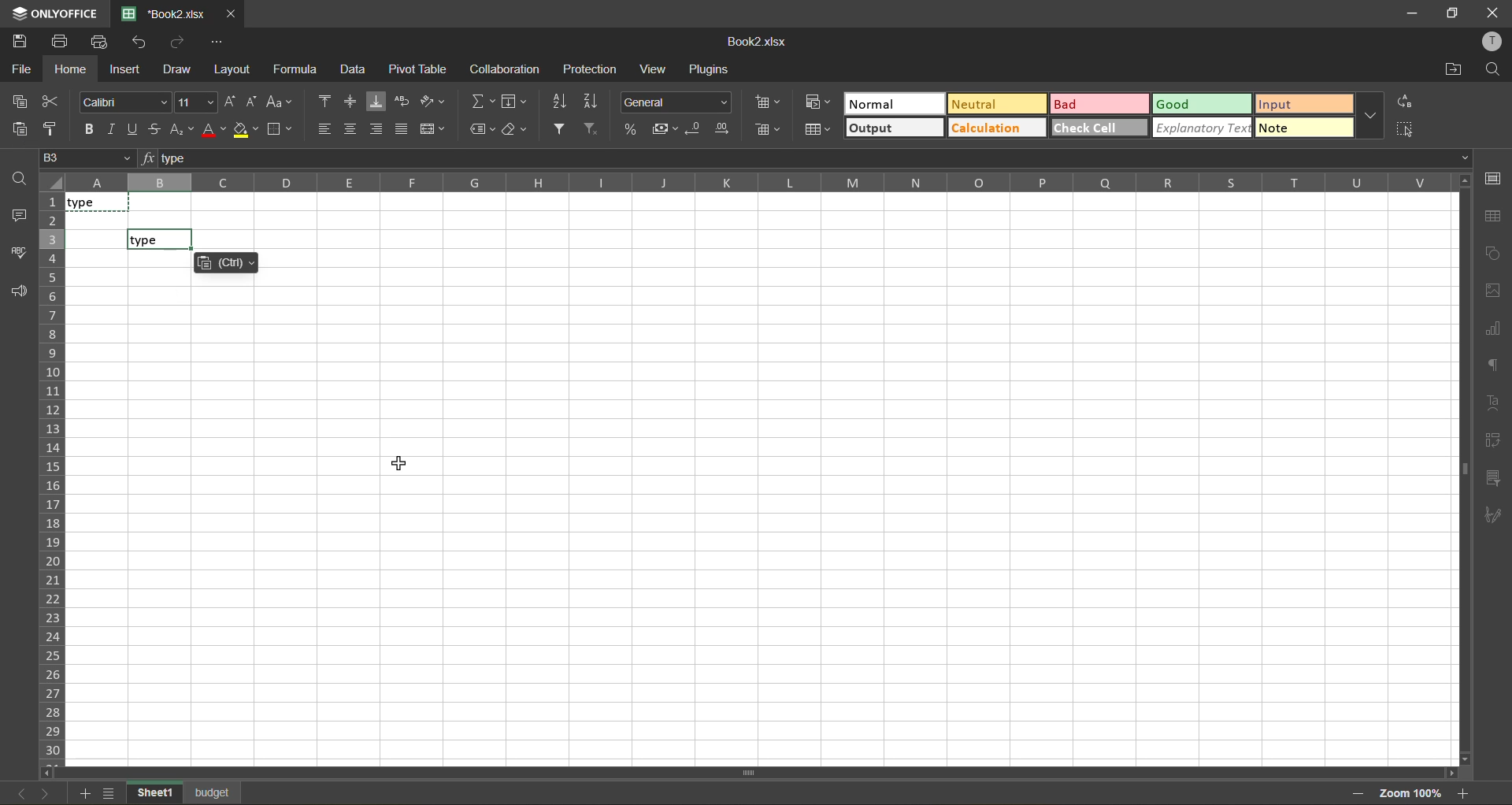 Image resolution: width=1512 pixels, height=805 pixels. Describe the element at coordinates (15, 129) in the screenshot. I see `paste` at that location.